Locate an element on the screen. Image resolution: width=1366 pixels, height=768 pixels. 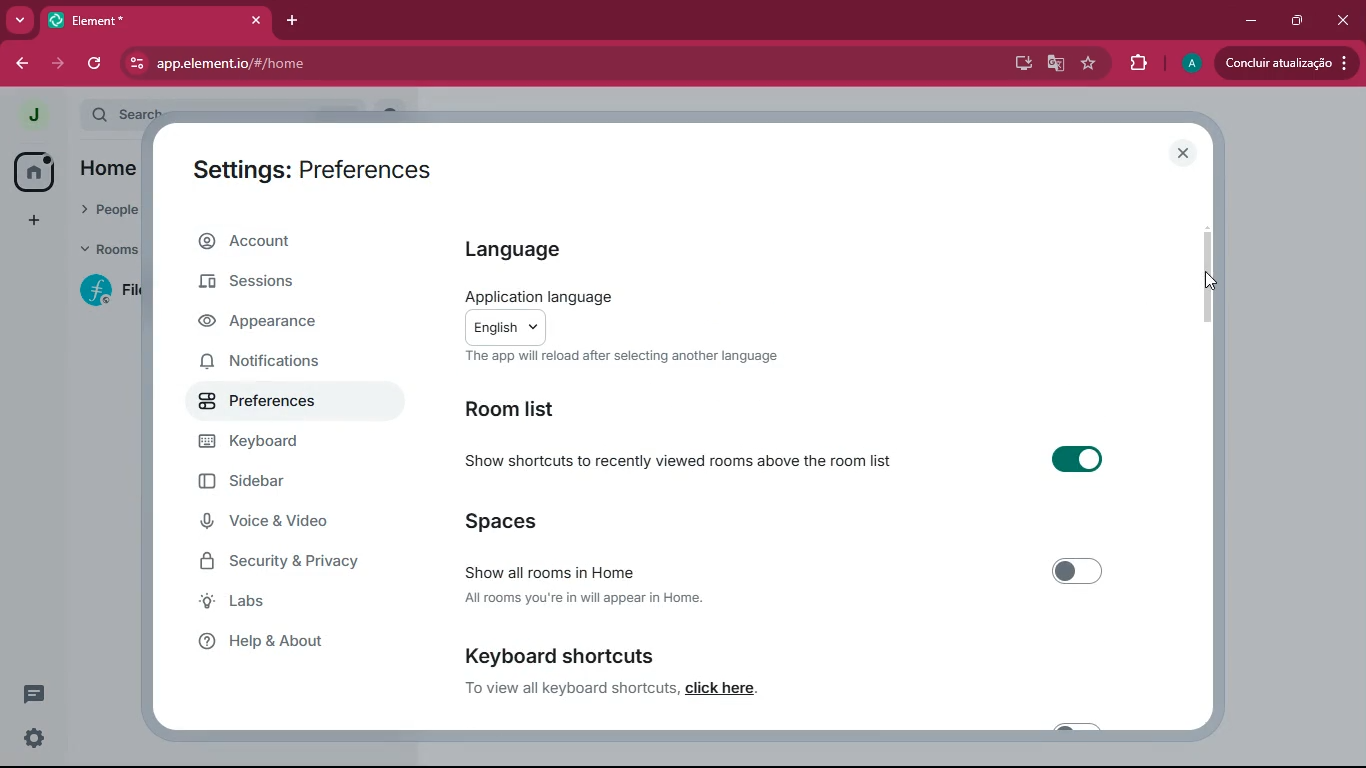
*Element is located at coordinates (155, 24).